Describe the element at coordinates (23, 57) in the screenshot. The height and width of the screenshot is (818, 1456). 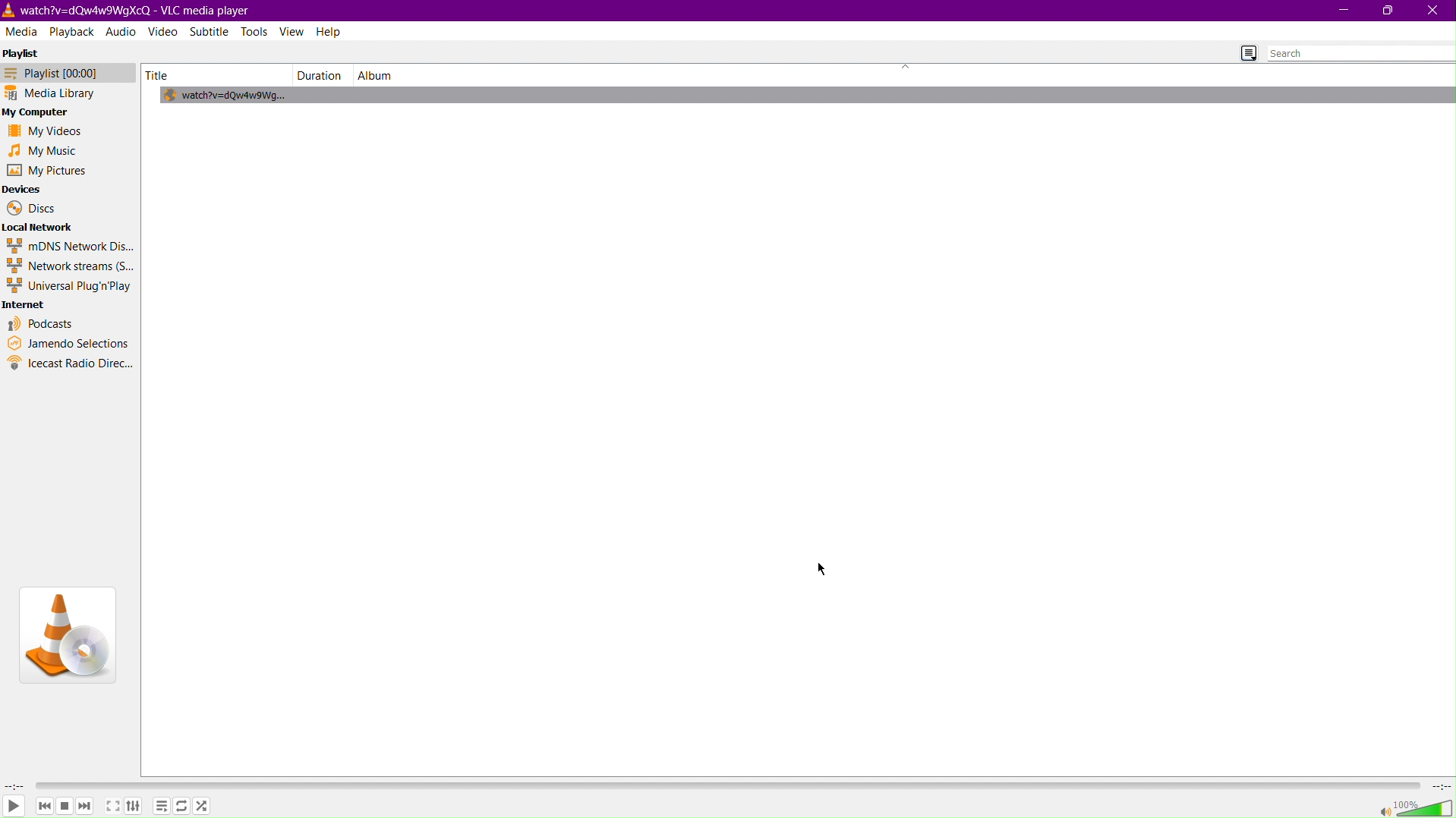
I see `Playlist` at that location.